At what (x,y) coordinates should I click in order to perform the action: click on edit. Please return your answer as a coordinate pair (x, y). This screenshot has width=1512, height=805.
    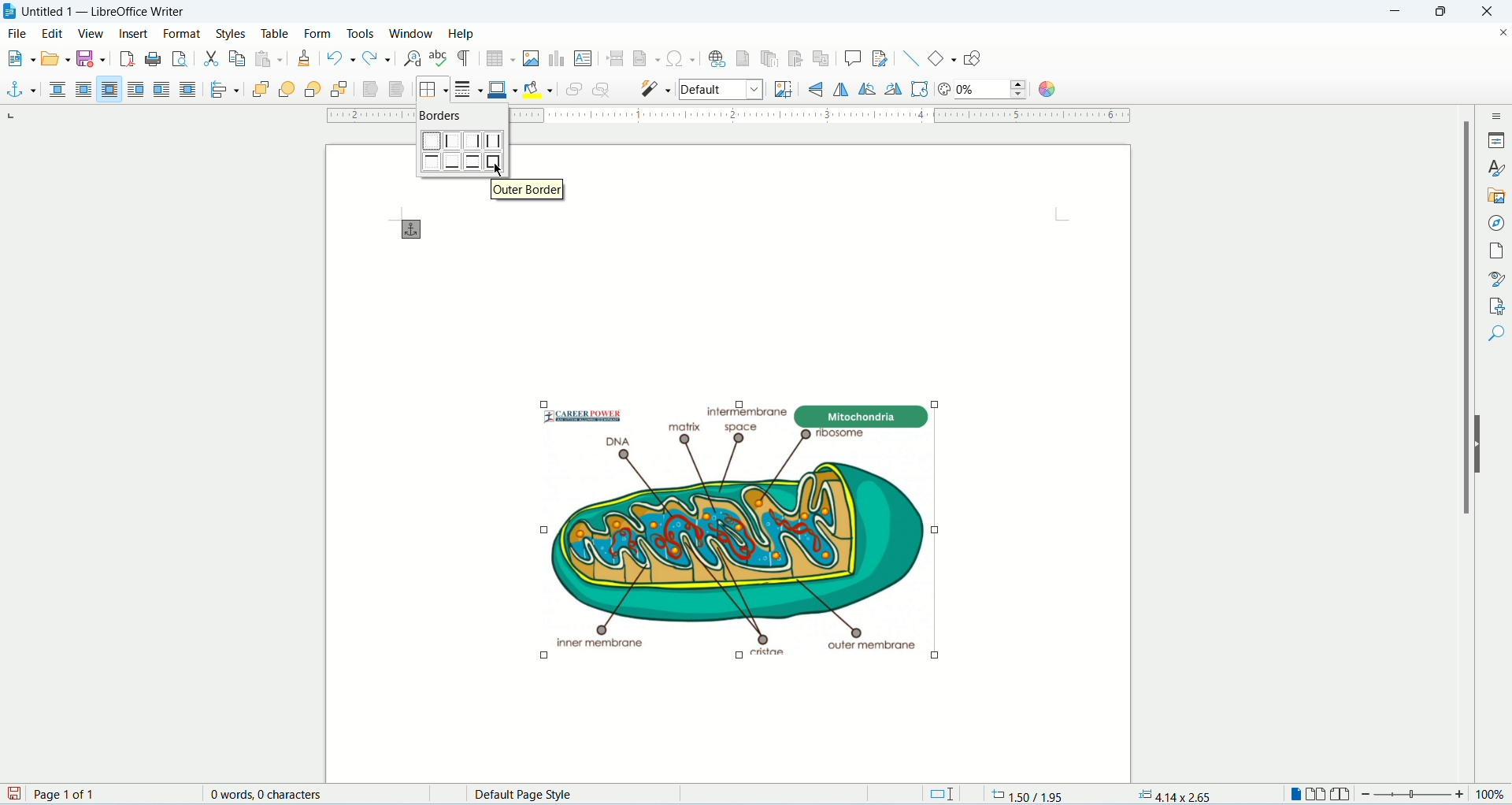
    Looking at the image, I should click on (54, 32).